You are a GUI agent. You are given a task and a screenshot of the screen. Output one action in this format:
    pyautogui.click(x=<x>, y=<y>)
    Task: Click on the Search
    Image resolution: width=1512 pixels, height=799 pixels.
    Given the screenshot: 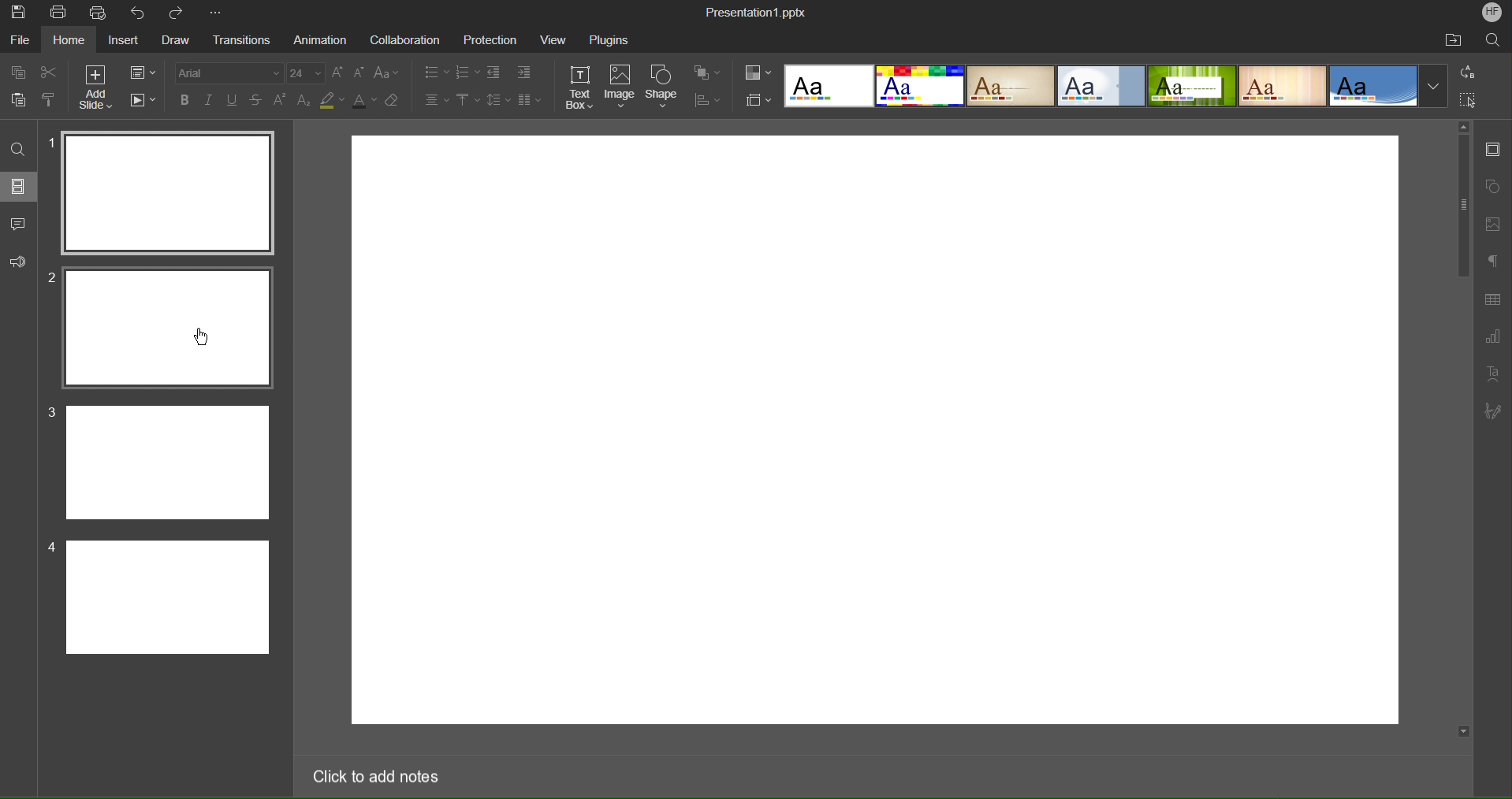 What is the action you would take?
    pyautogui.click(x=1494, y=41)
    